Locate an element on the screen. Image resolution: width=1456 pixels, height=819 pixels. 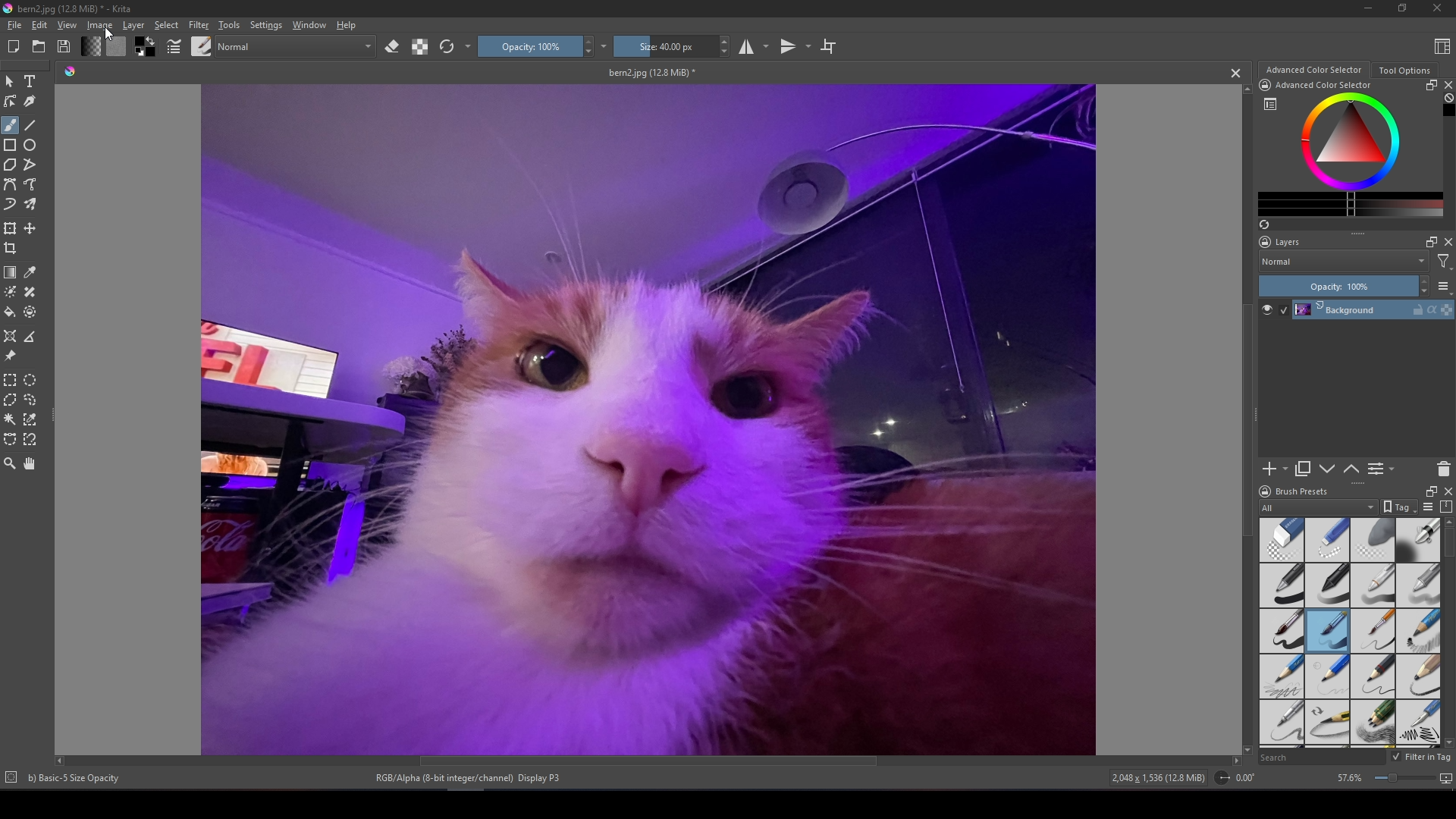
Docket close is located at coordinates (1447, 242).